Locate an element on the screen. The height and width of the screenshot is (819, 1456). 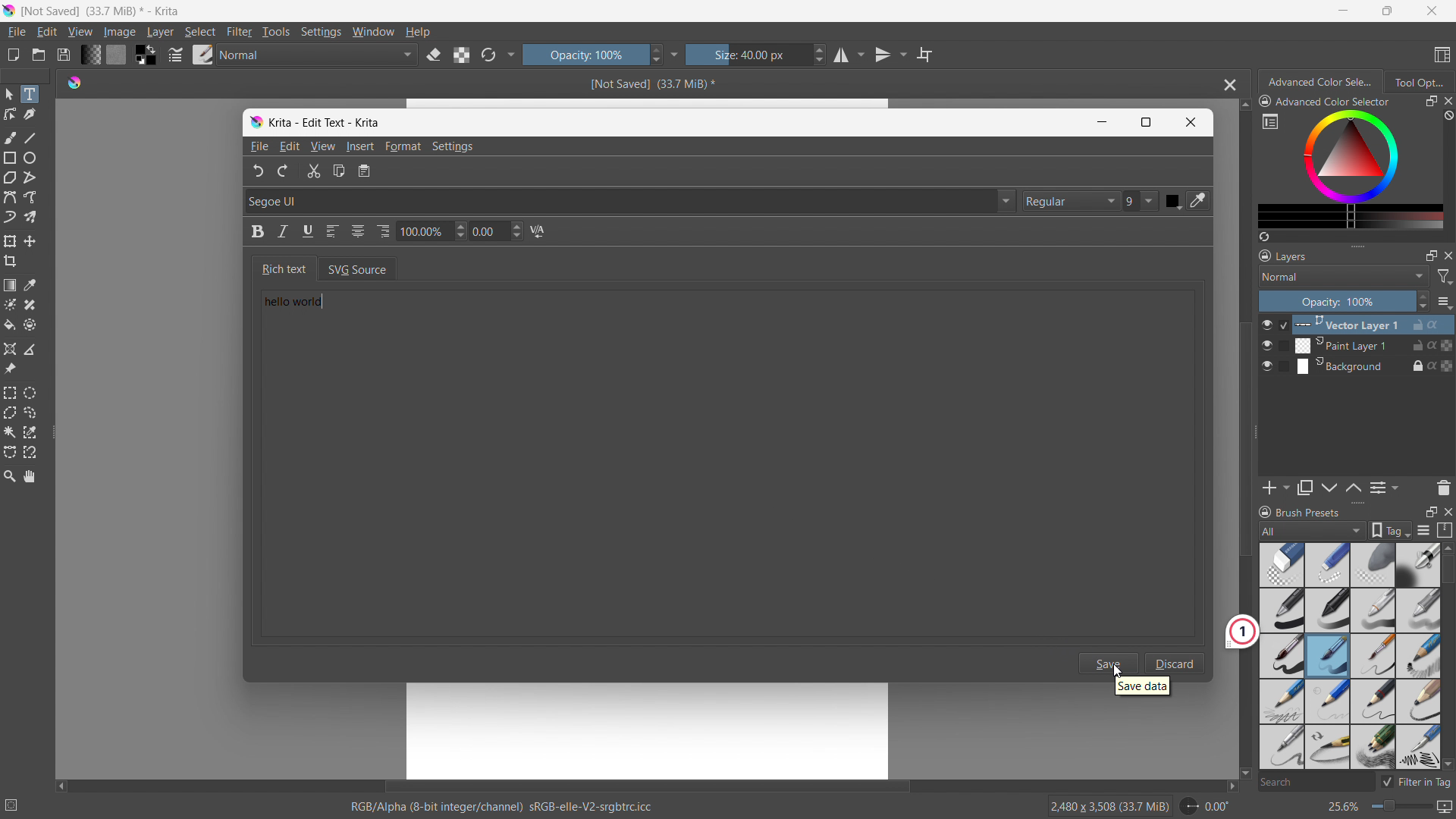
crop the image to an area is located at coordinates (11, 261).